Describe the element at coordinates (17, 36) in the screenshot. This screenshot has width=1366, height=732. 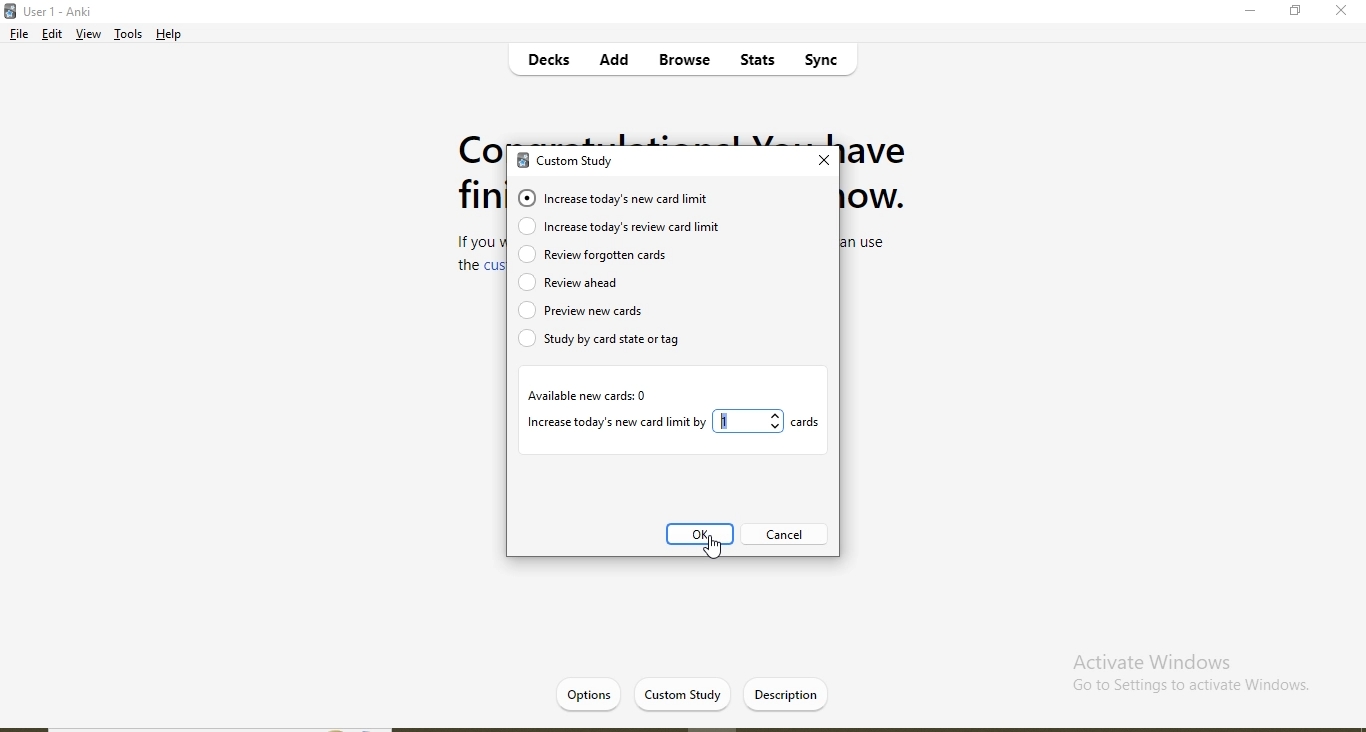
I see `file` at that location.